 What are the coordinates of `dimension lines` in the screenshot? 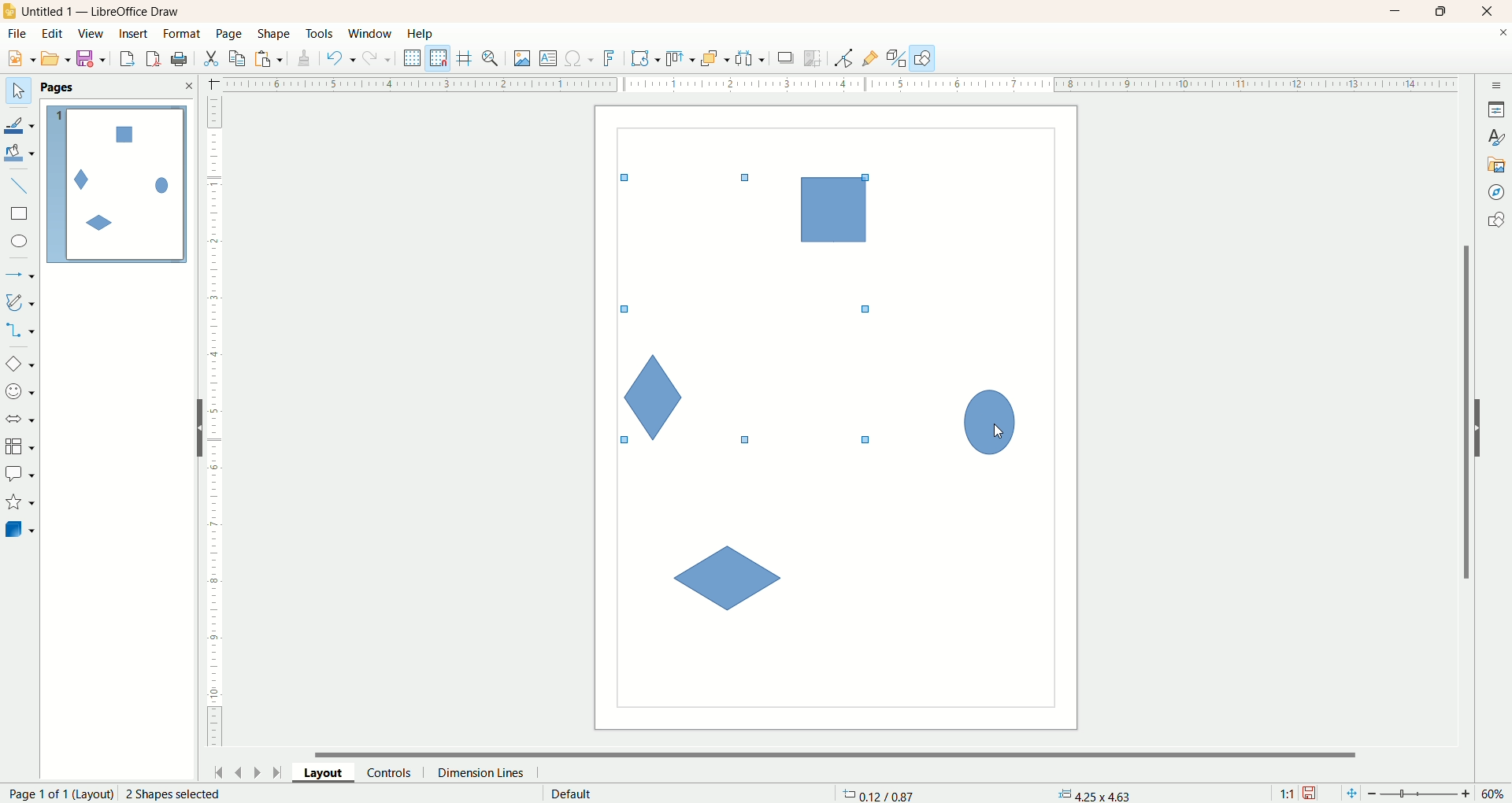 It's located at (485, 772).